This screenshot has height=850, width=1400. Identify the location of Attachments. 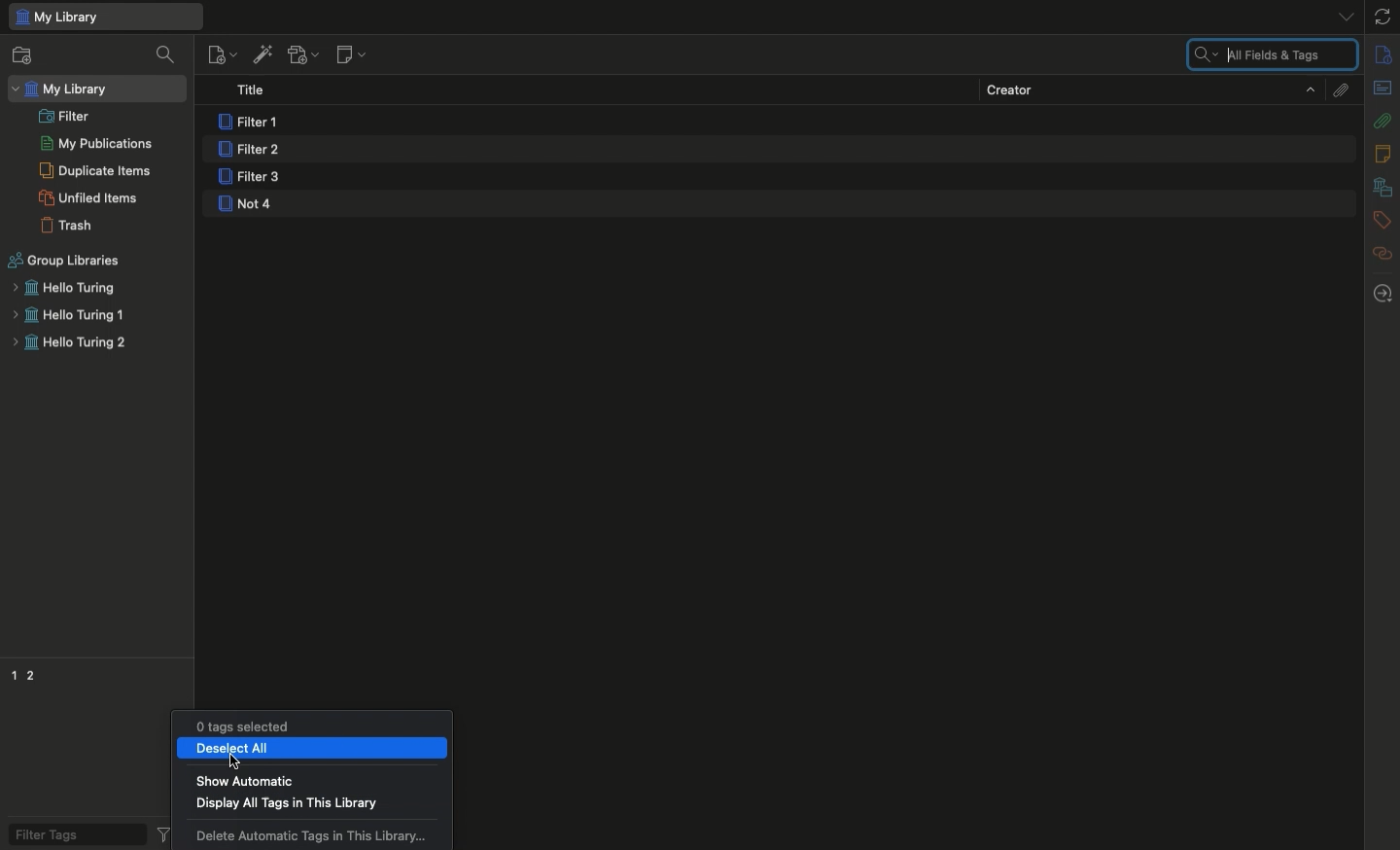
(1382, 120).